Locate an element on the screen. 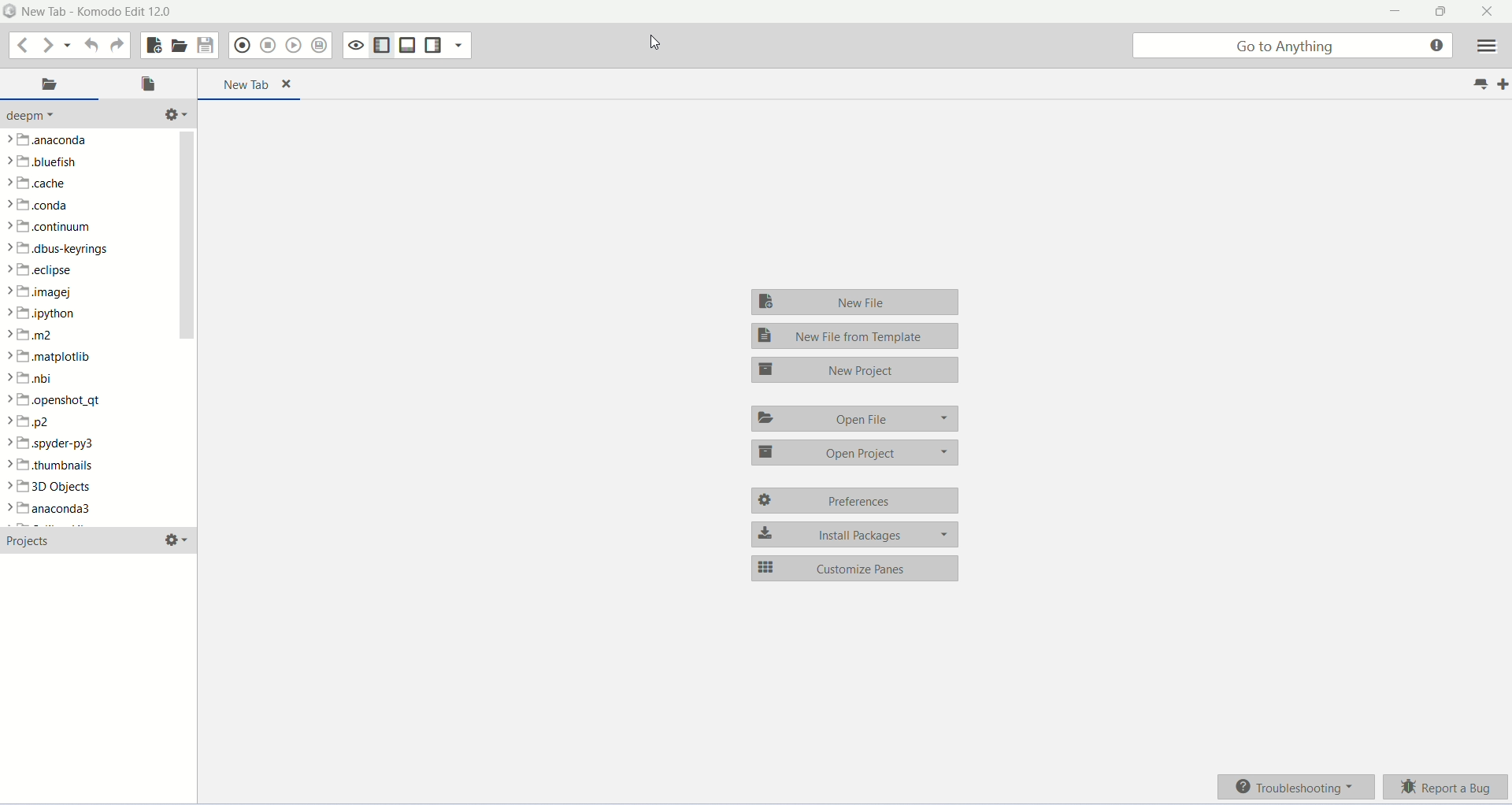 The height and width of the screenshot is (805, 1512). go to anything is located at coordinates (1293, 46).